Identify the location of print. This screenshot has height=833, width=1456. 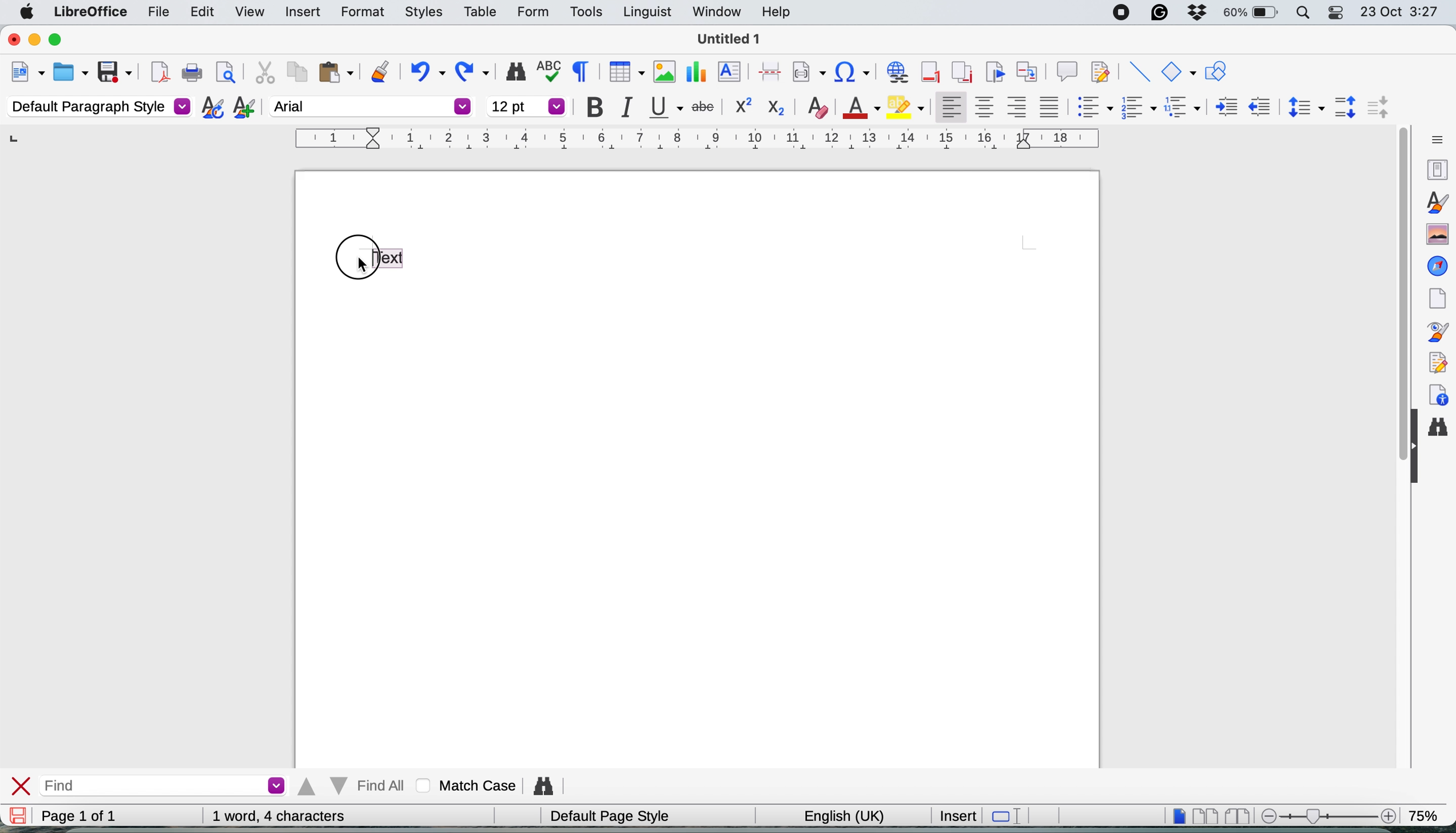
(191, 74).